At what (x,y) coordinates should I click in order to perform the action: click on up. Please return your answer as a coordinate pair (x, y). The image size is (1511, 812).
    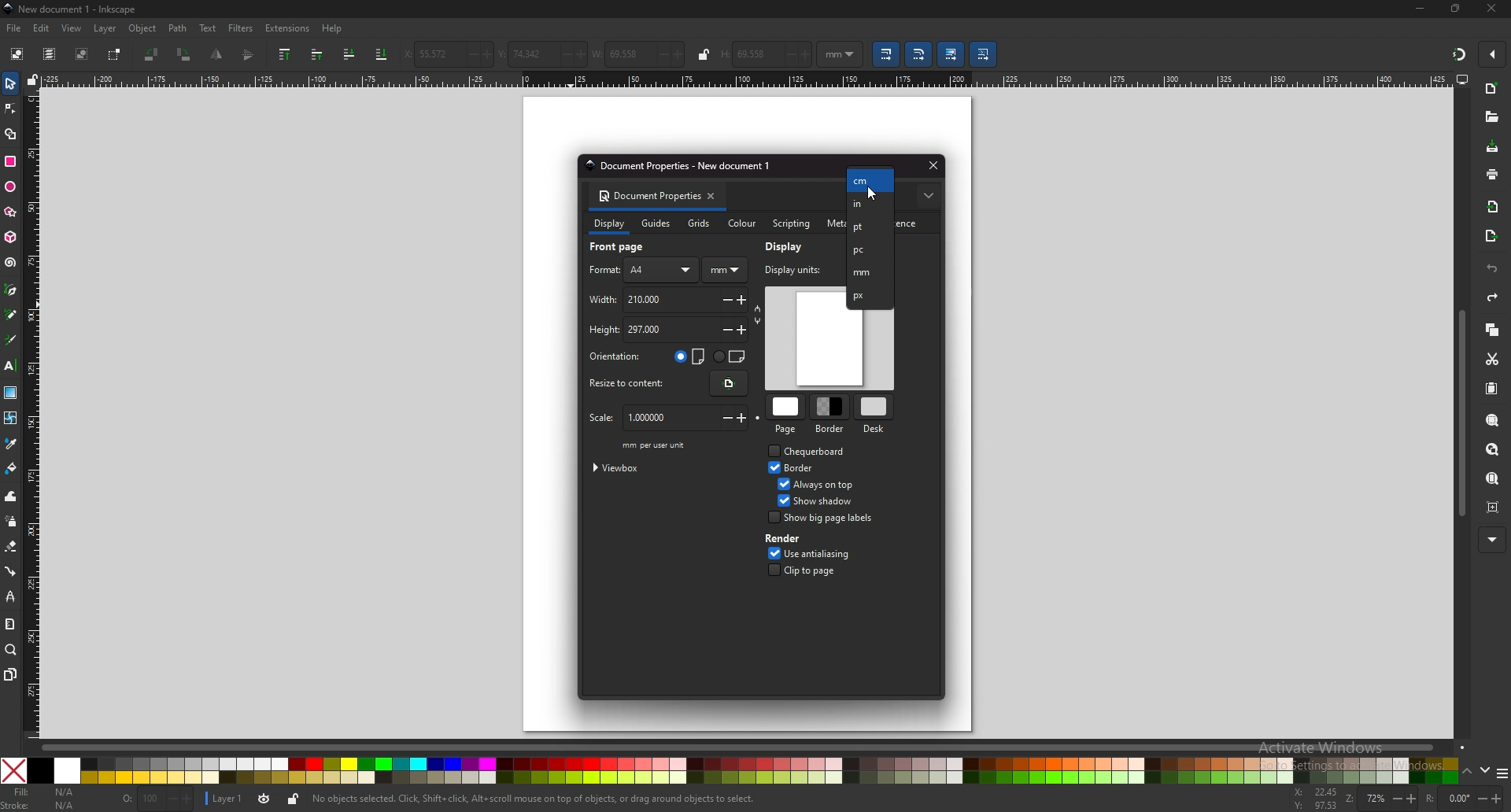
    Looking at the image, I should click on (1467, 770).